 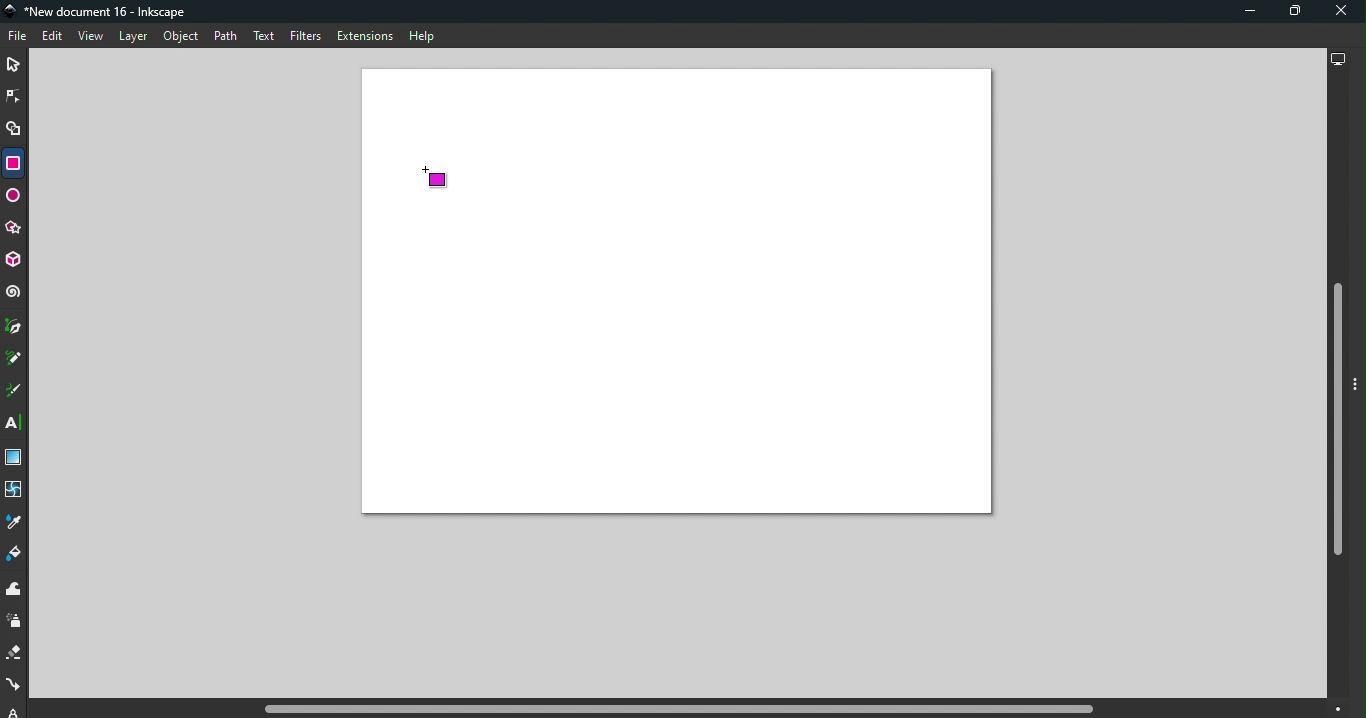 I want to click on Filters, so click(x=306, y=38).